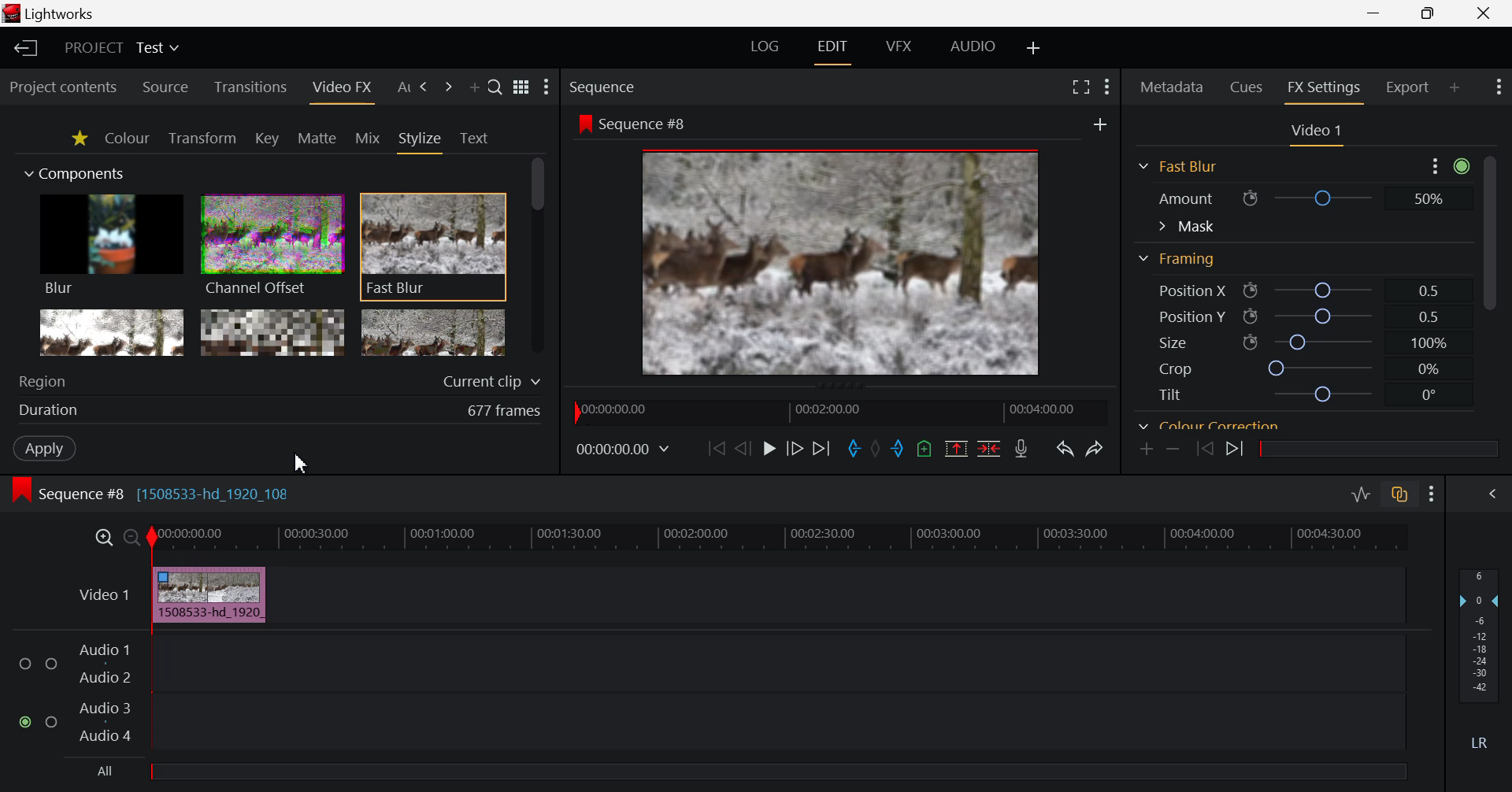 This screenshot has width=1512, height=792. Describe the element at coordinates (1304, 368) in the screenshot. I see `Crop` at that location.